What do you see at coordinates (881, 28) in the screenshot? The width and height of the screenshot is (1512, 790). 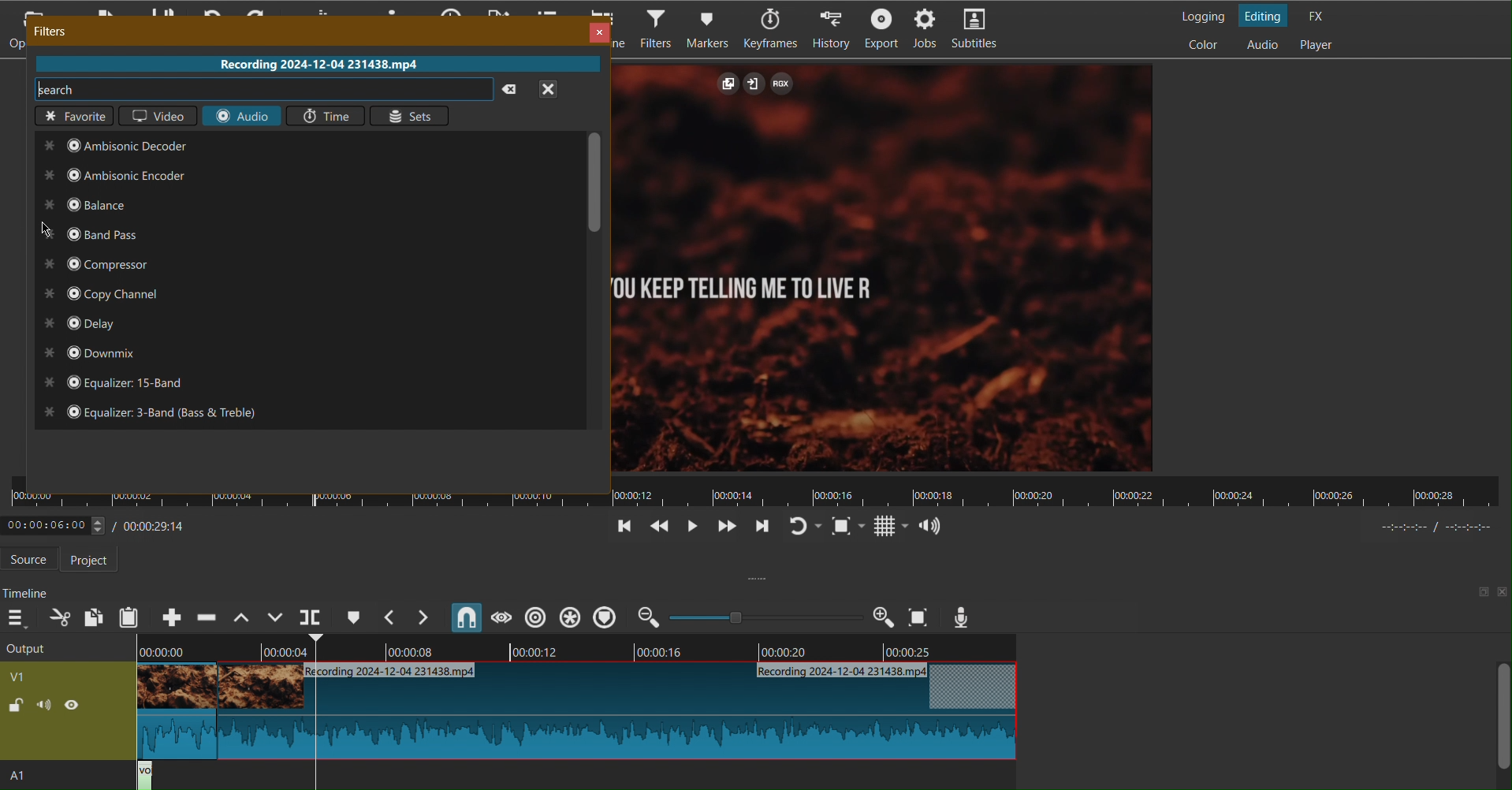 I see `Export` at bounding box center [881, 28].